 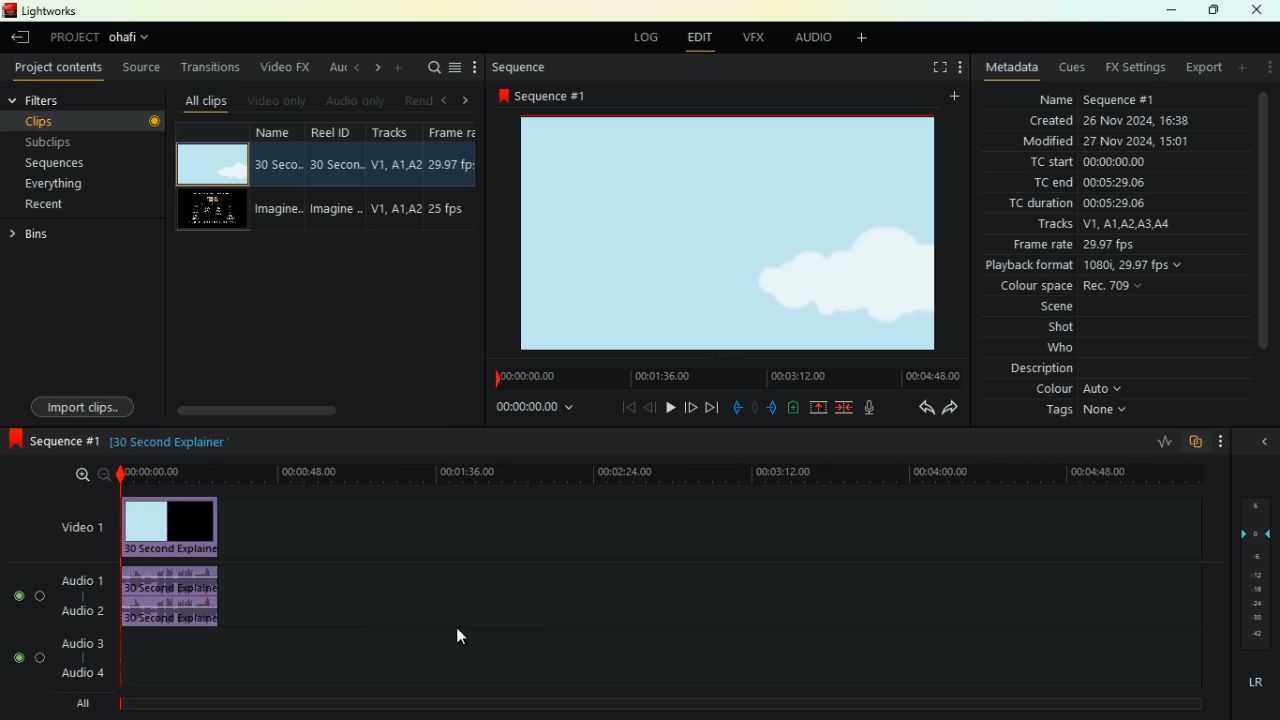 What do you see at coordinates (1113, 225) in the screenshot?
I see `tracks V1, A1, A2, A3, A4` at bounding box center [1113, 225].